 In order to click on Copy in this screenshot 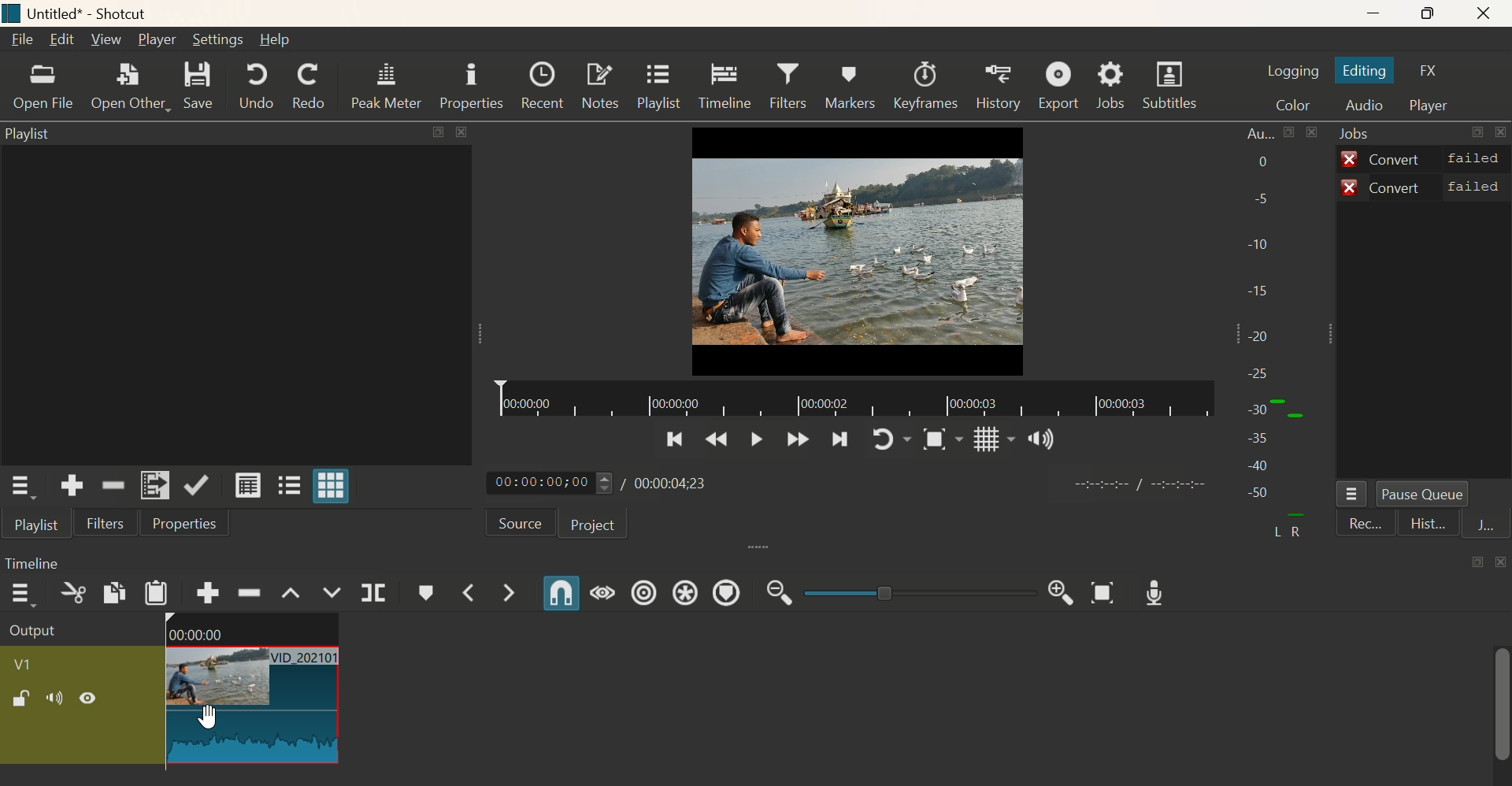, I will do `click(111, 595)`.